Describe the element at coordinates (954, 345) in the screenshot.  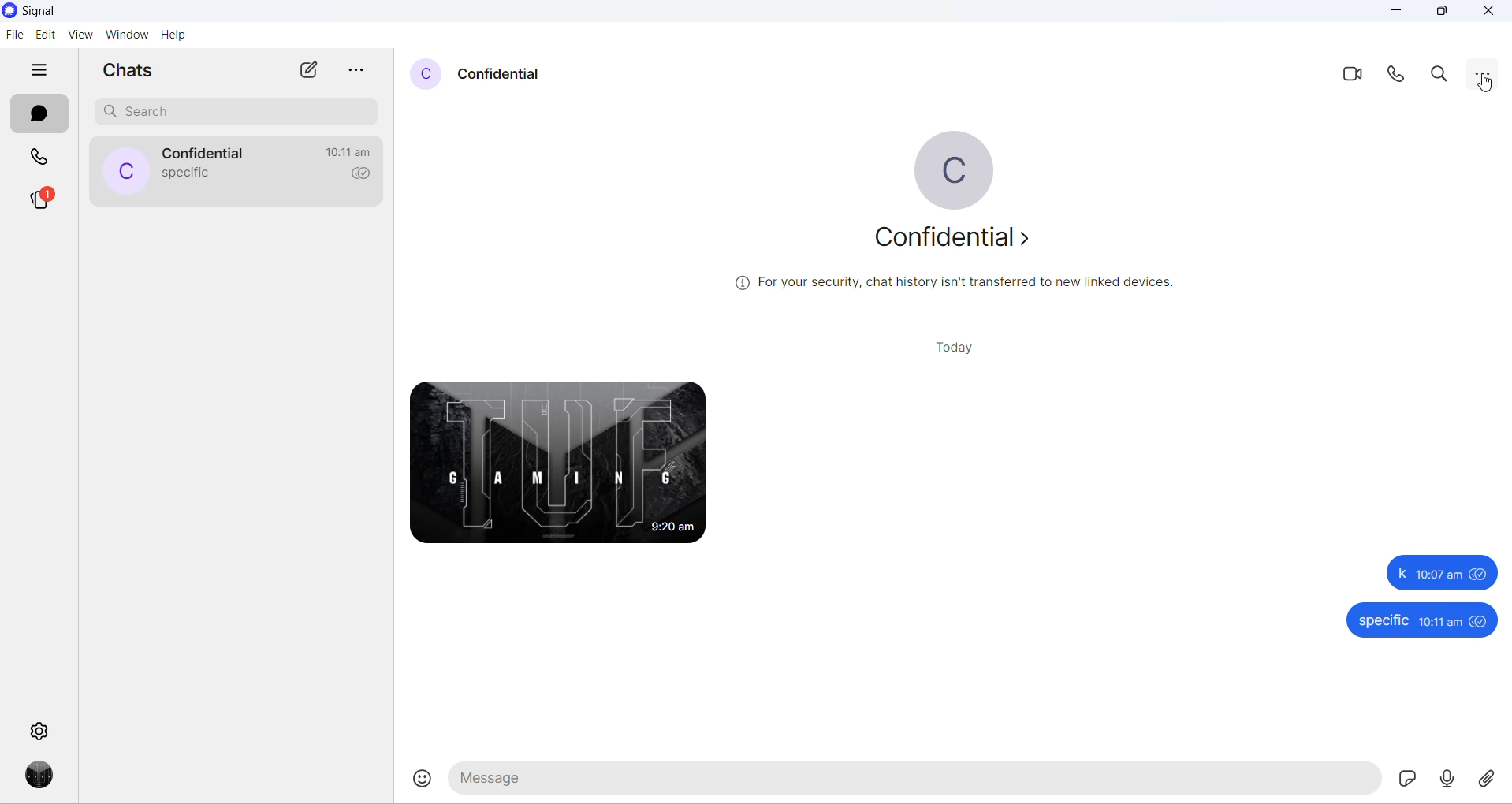
I see `today heading` at that location.